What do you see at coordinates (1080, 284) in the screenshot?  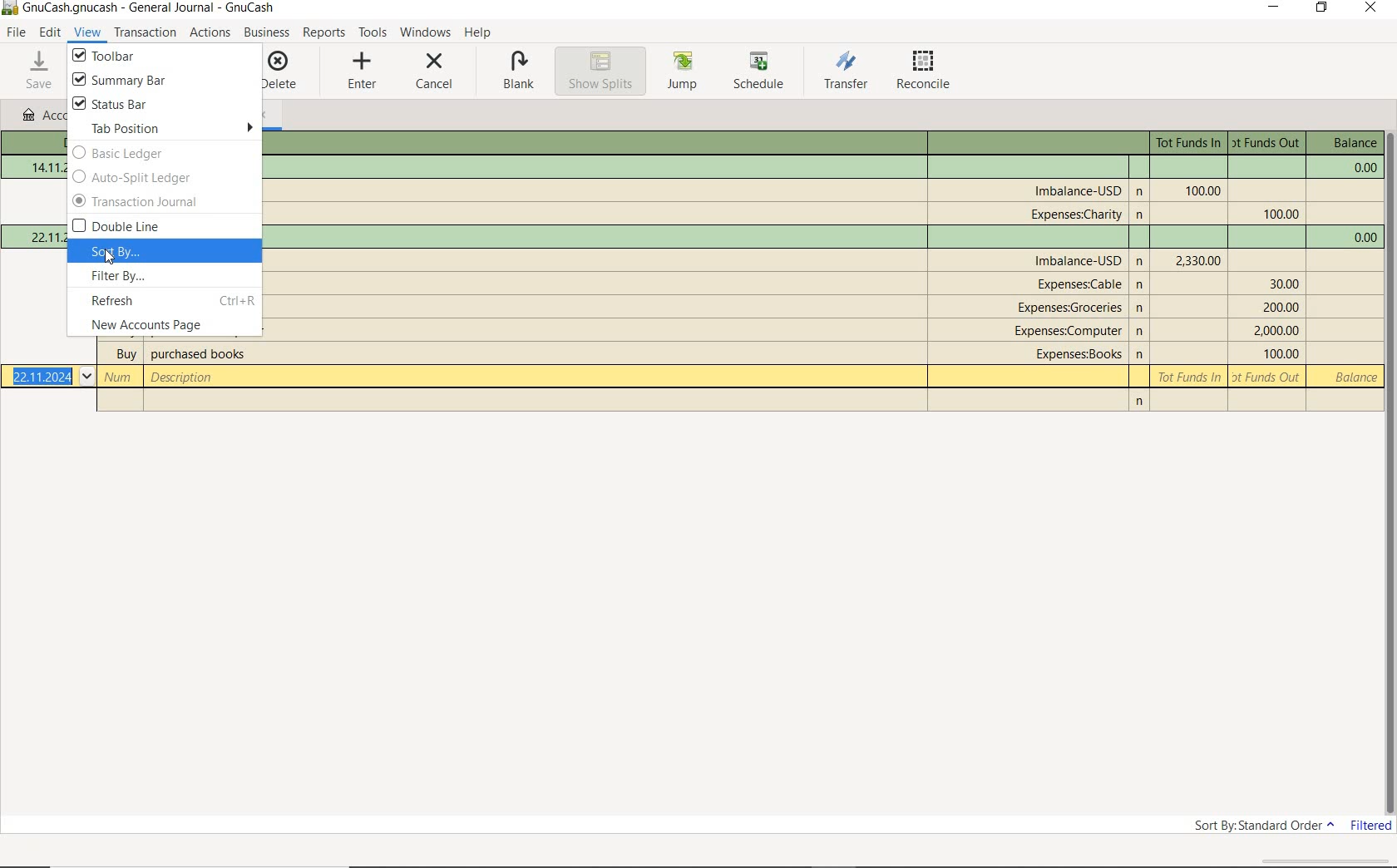 I see `account` at bounding box center [1080, 284].